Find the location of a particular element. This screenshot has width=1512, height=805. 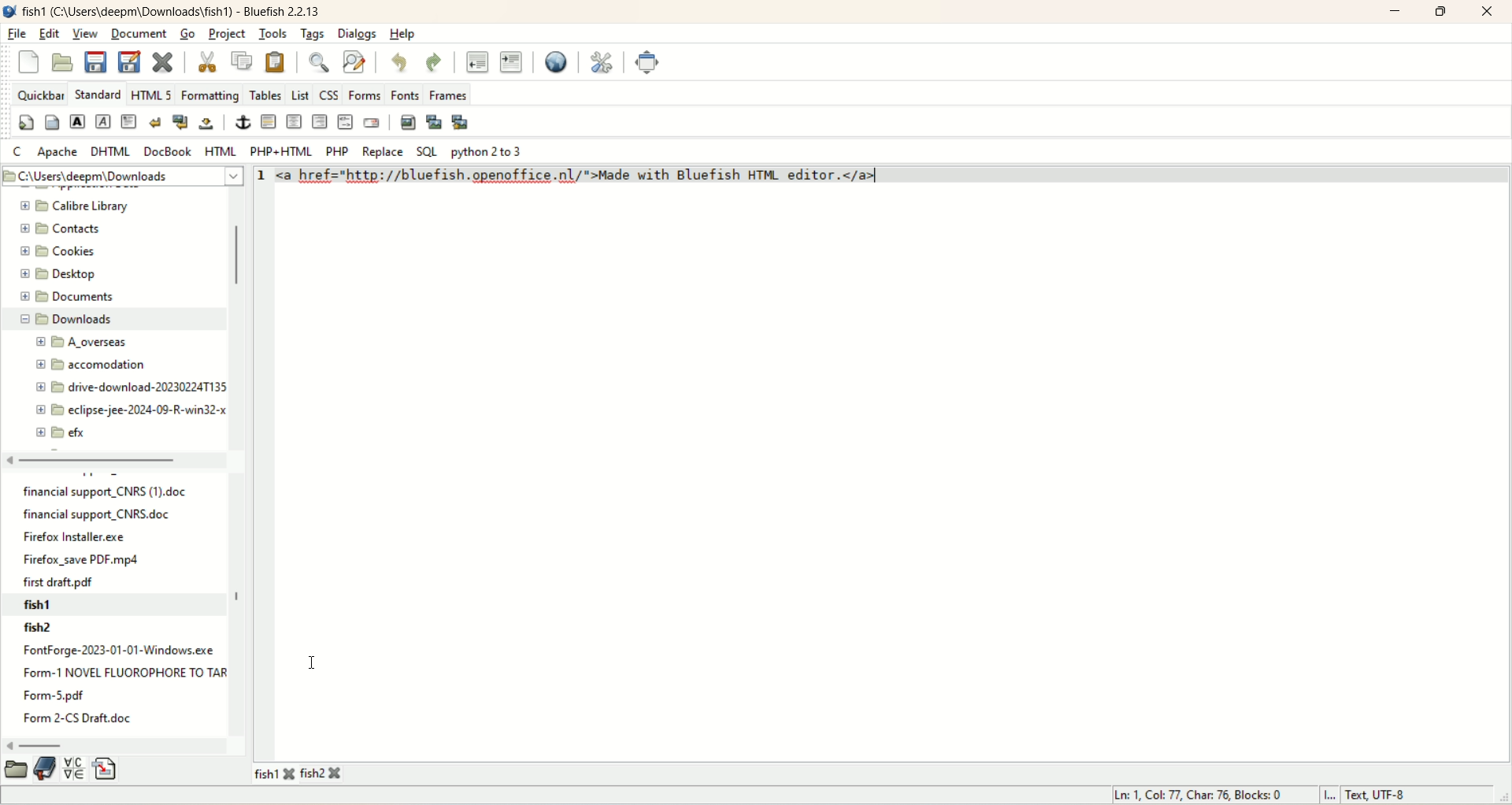

help is located at coordinates (402, 35).